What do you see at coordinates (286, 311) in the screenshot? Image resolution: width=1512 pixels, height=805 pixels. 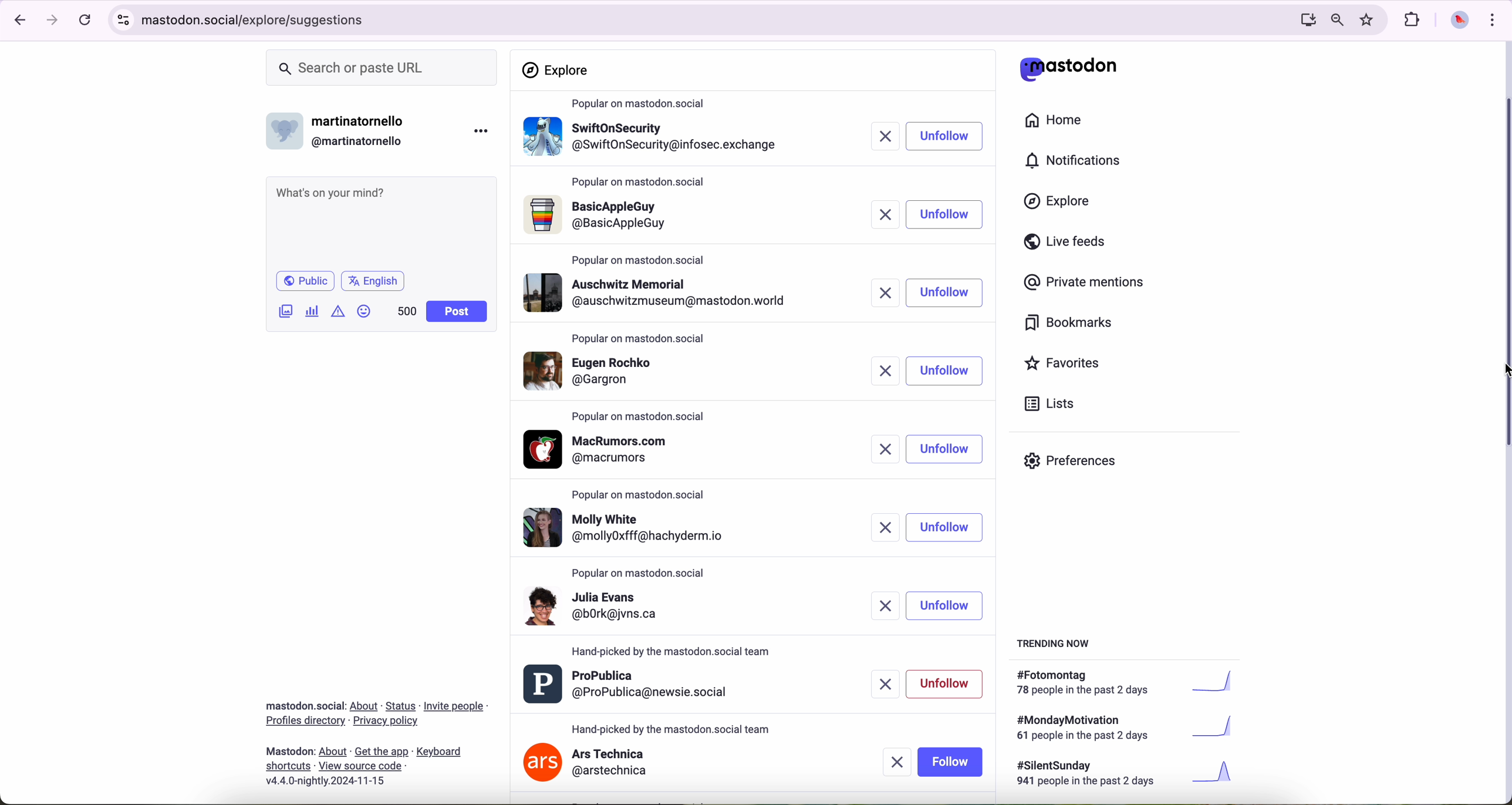 I see `attach image` at bounding box center [286, 311].